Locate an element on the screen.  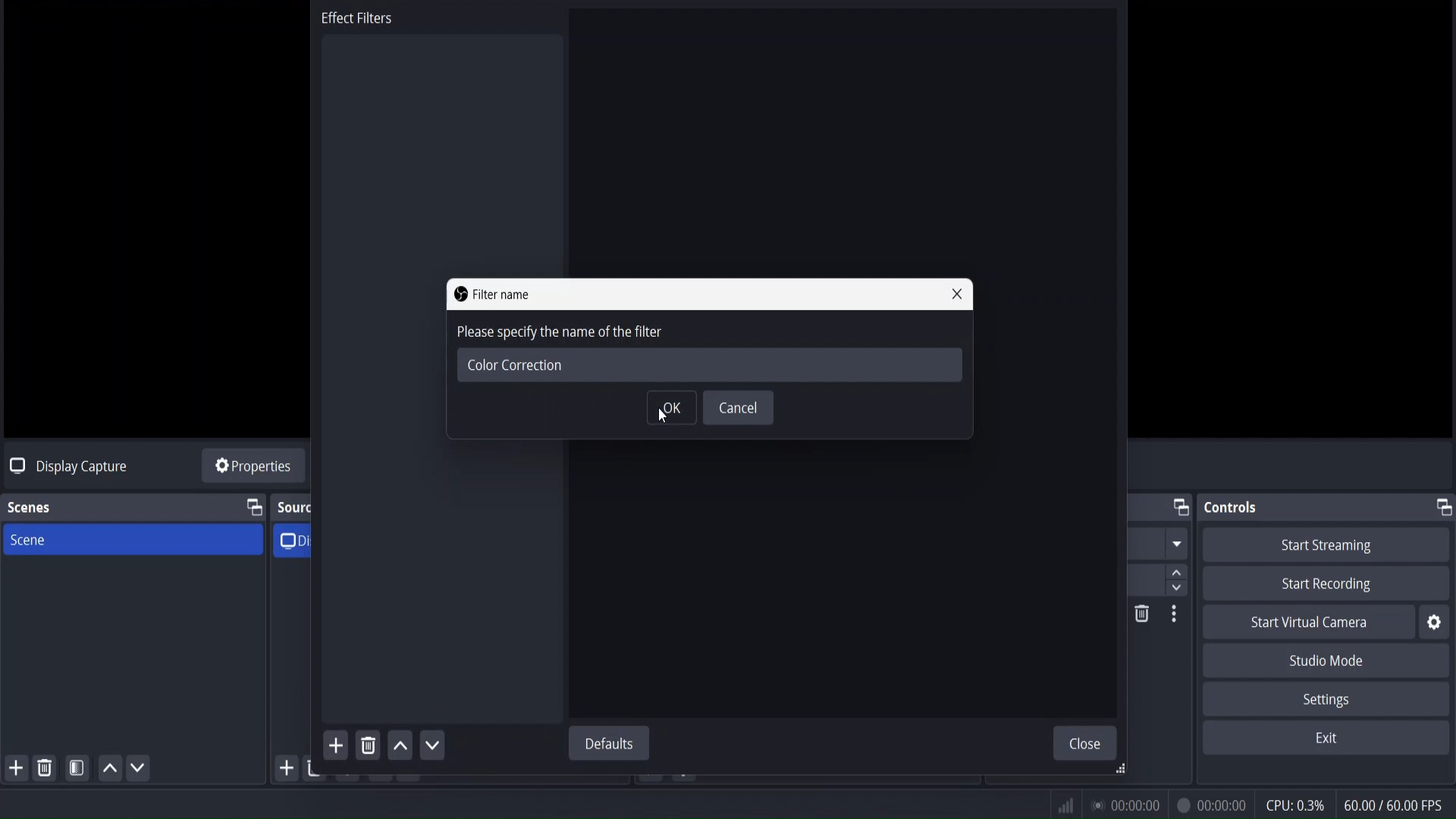
remove effect filter is located at coordinates (368, 745).